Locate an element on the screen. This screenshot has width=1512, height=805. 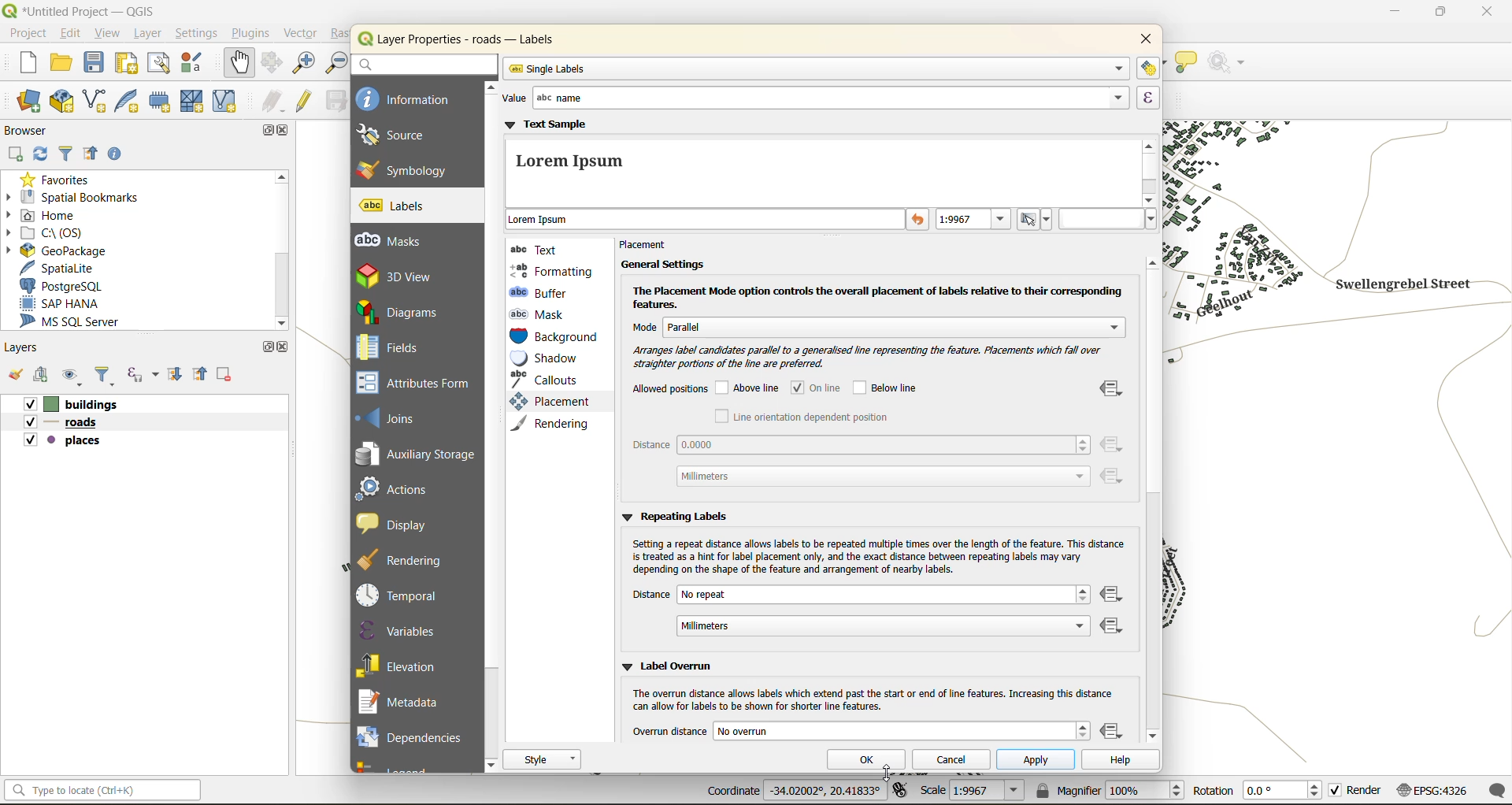
close is located at coordinates (287, 349).